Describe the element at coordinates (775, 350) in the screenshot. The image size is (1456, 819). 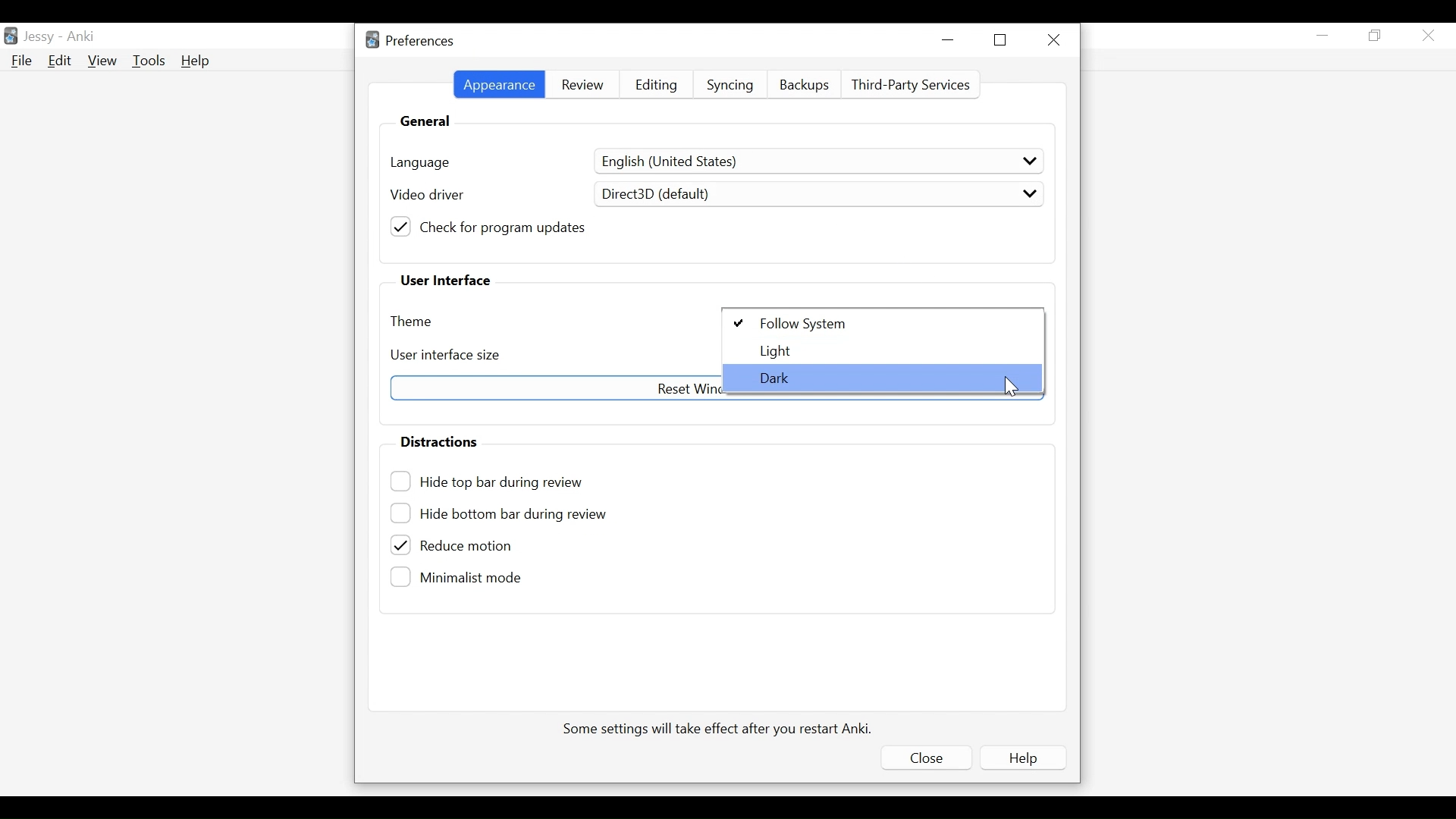
I see `light` at that location.